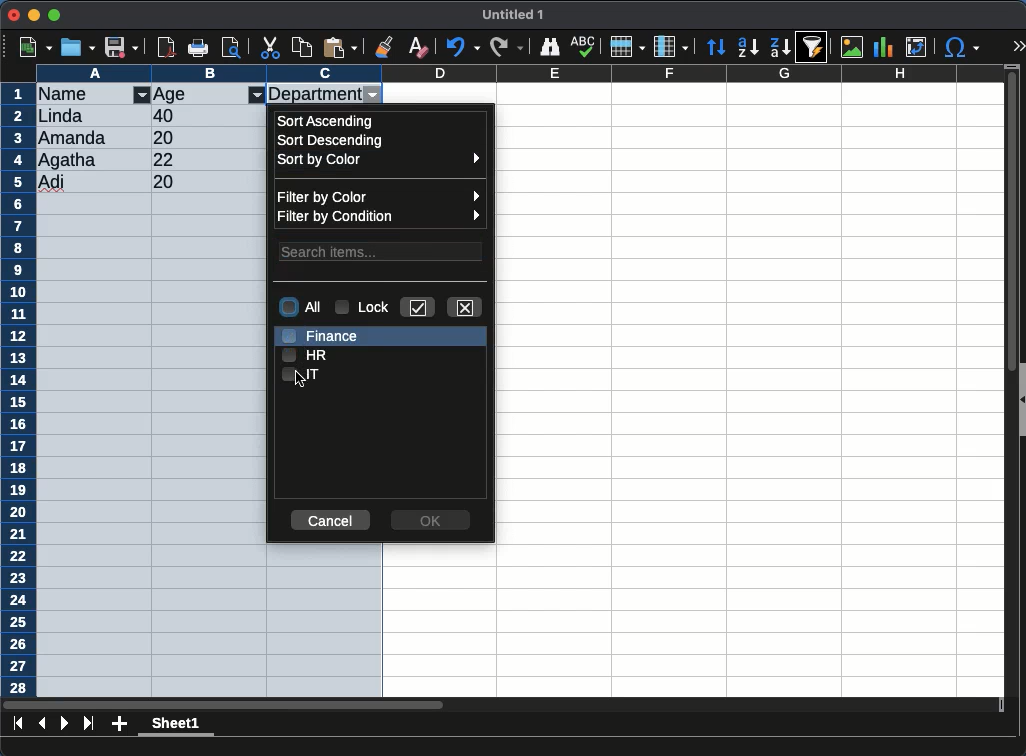 The image size is (1026, 756). Describe the element at coordinates (432, 517) in the screenshot. I see `ok` at that location.